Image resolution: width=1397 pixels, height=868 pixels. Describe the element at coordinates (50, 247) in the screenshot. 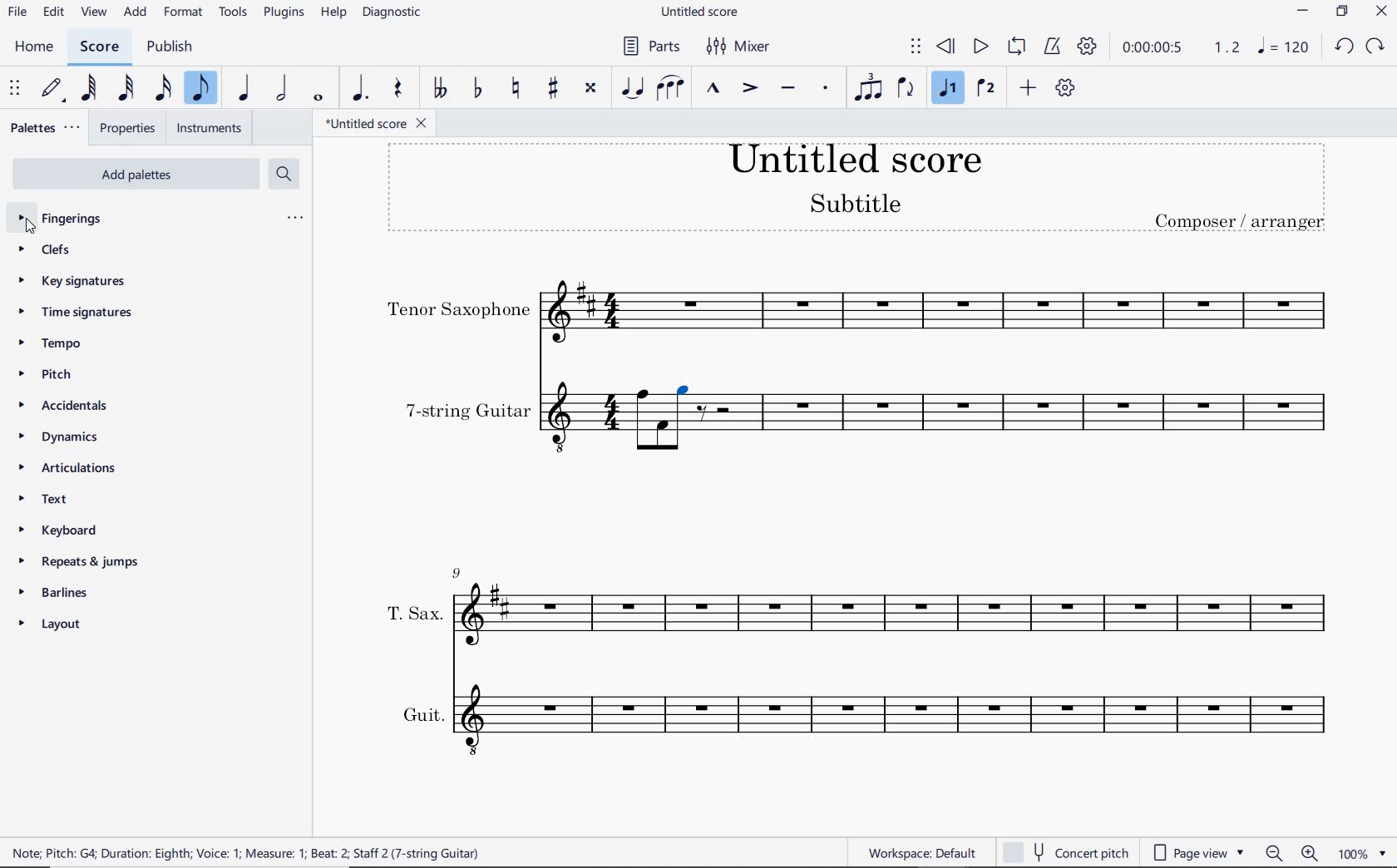

I see `CLEFS` at that location.